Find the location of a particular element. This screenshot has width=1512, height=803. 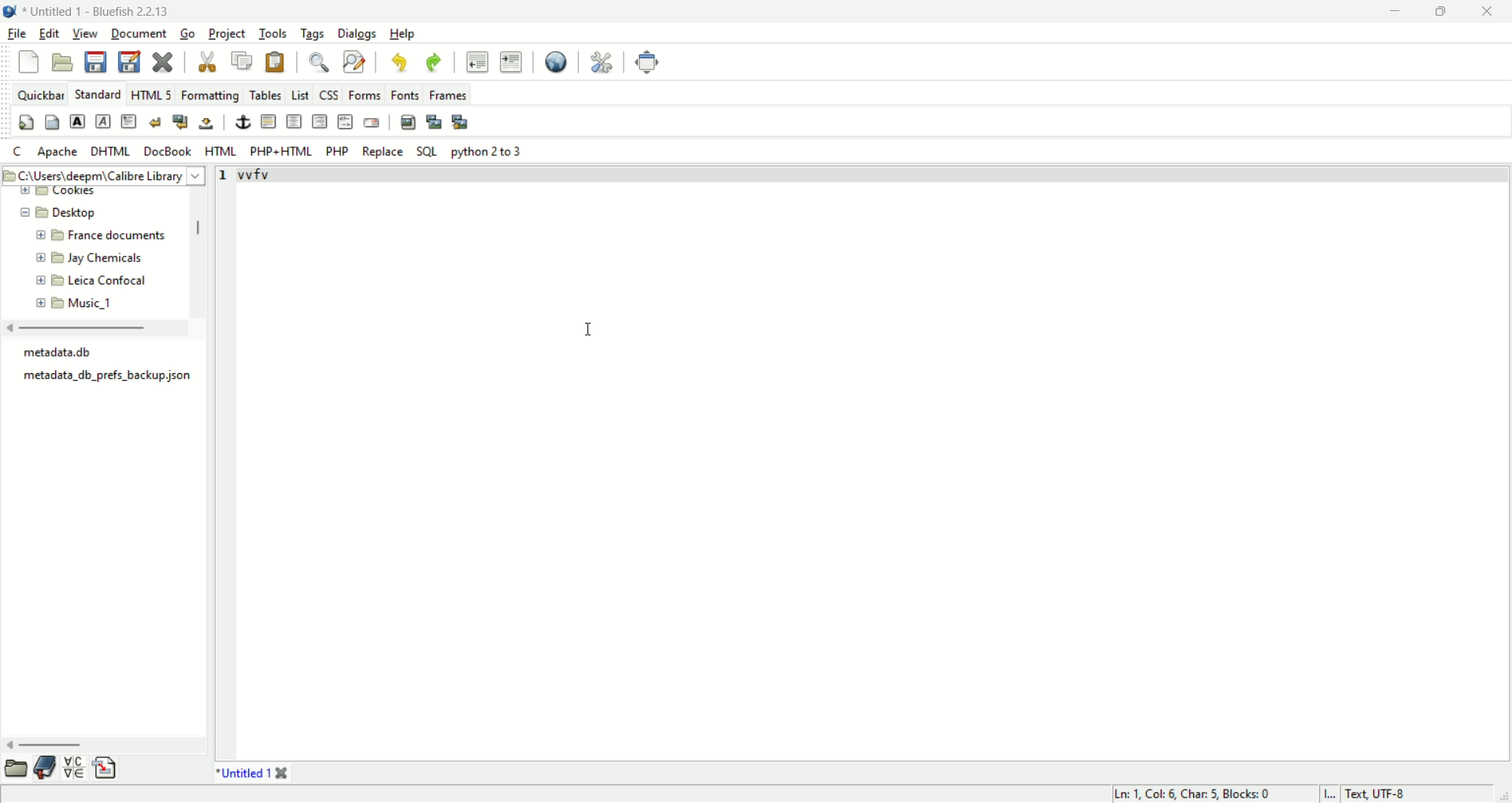

Jay Chemicals is located at coordinates (109, 258).